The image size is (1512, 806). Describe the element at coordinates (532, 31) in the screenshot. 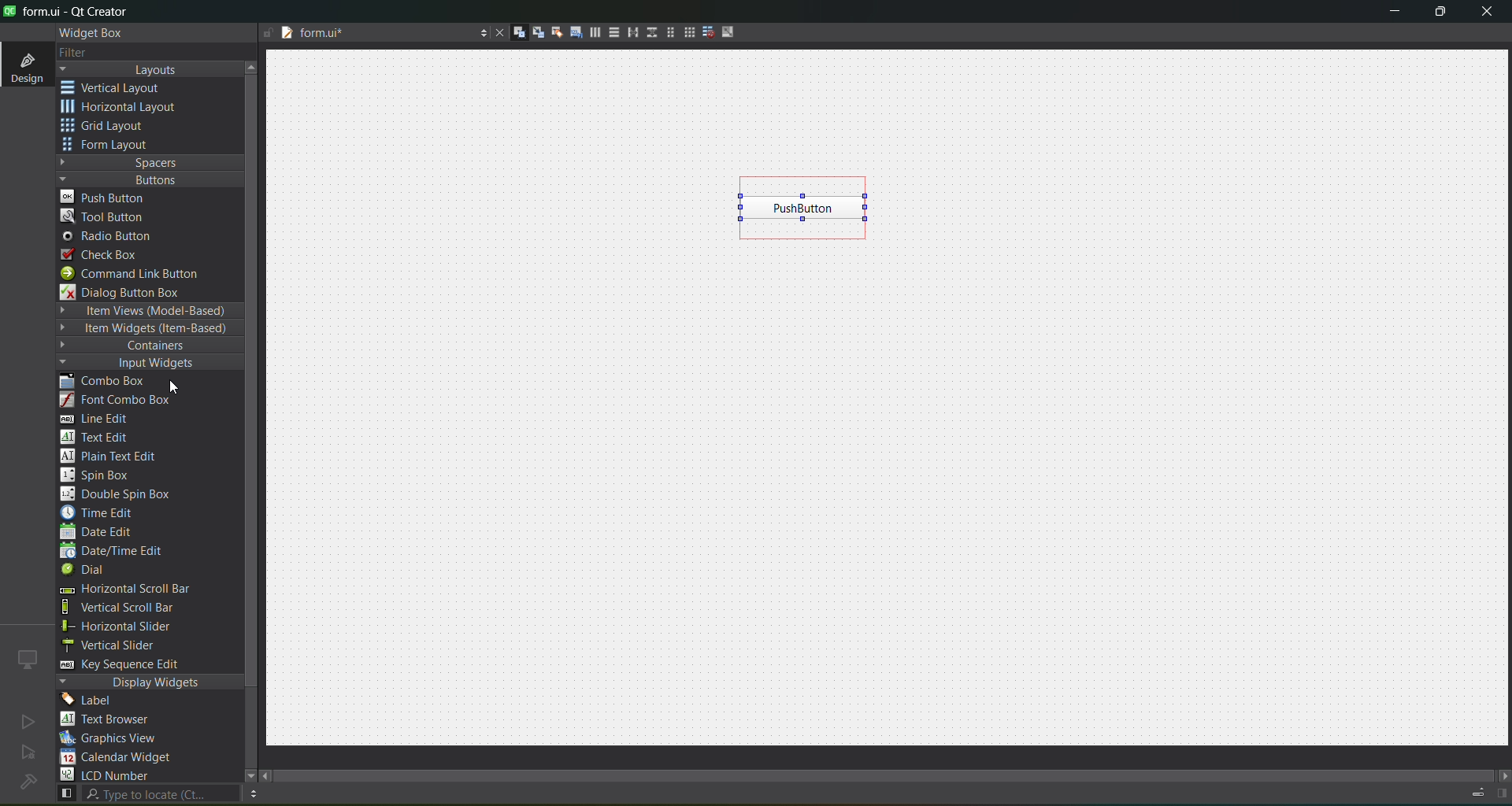

I see `edit signals` at that location.